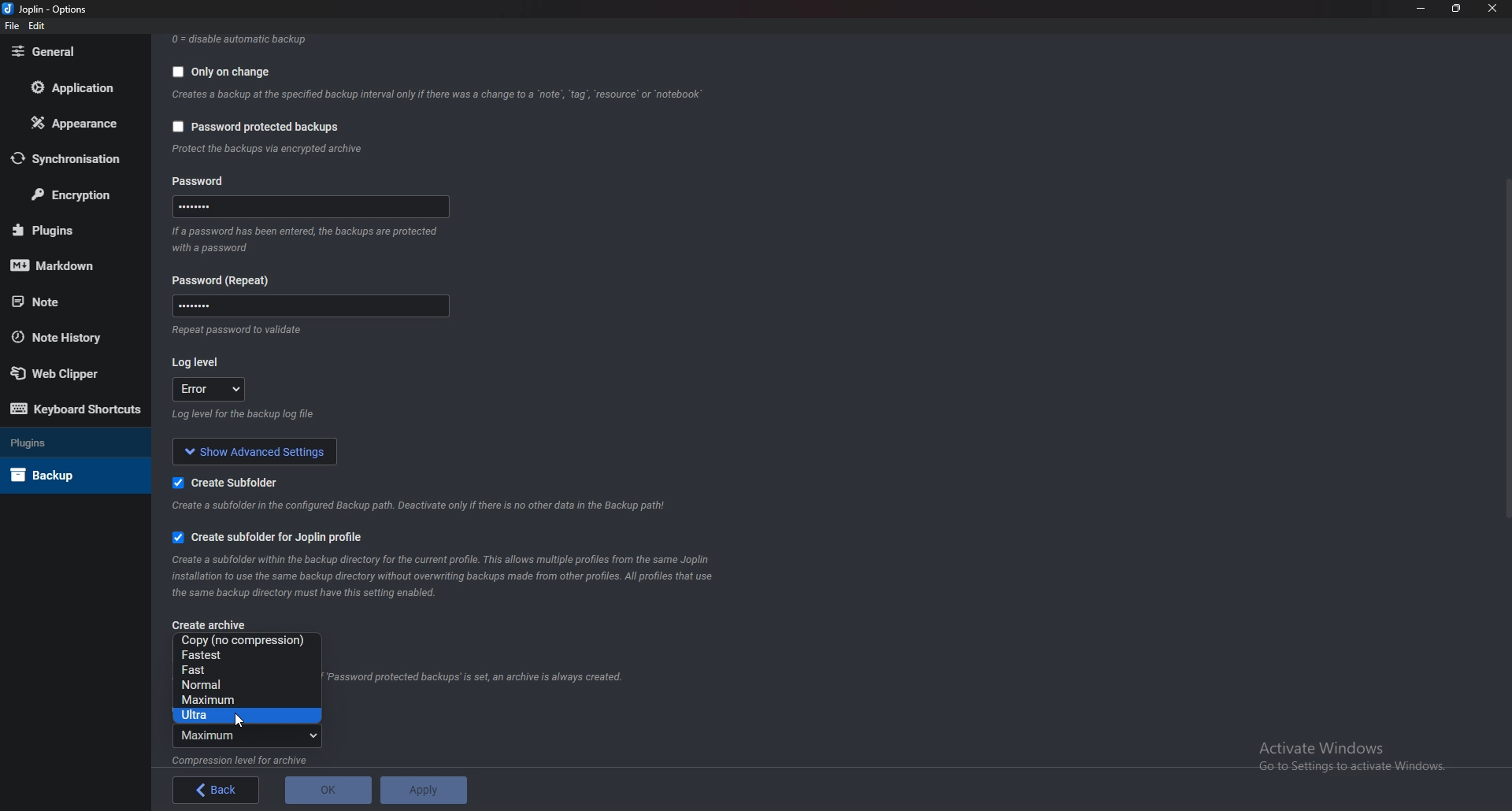 This screenshot has height=811, width=1512. What do you see at coordinates (315, 206) in the screenshot?
I see `Password` at bounding box center [315, 206].